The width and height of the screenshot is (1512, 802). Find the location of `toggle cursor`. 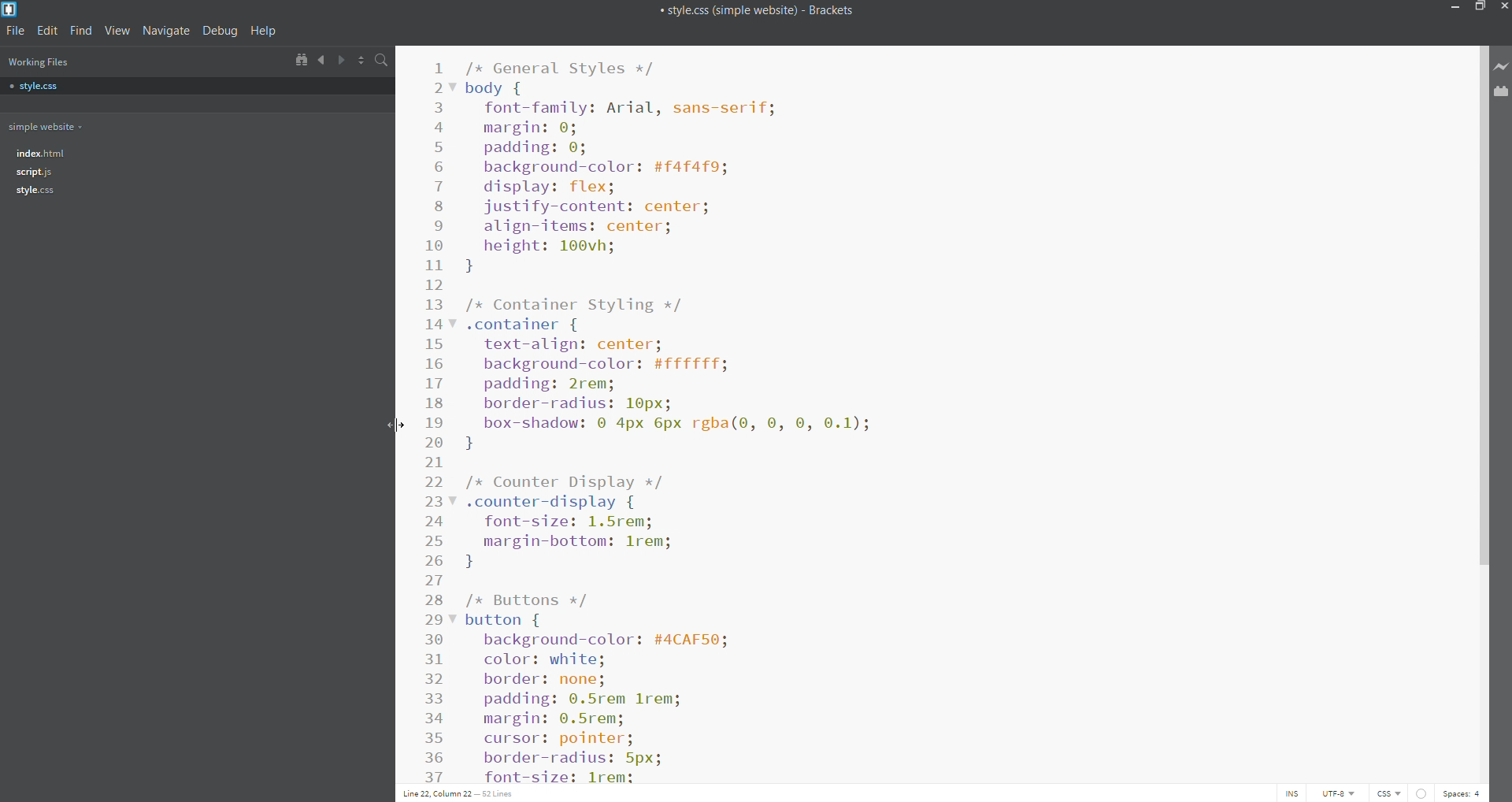

toggle cursor is located at coordinates (1291, 794).